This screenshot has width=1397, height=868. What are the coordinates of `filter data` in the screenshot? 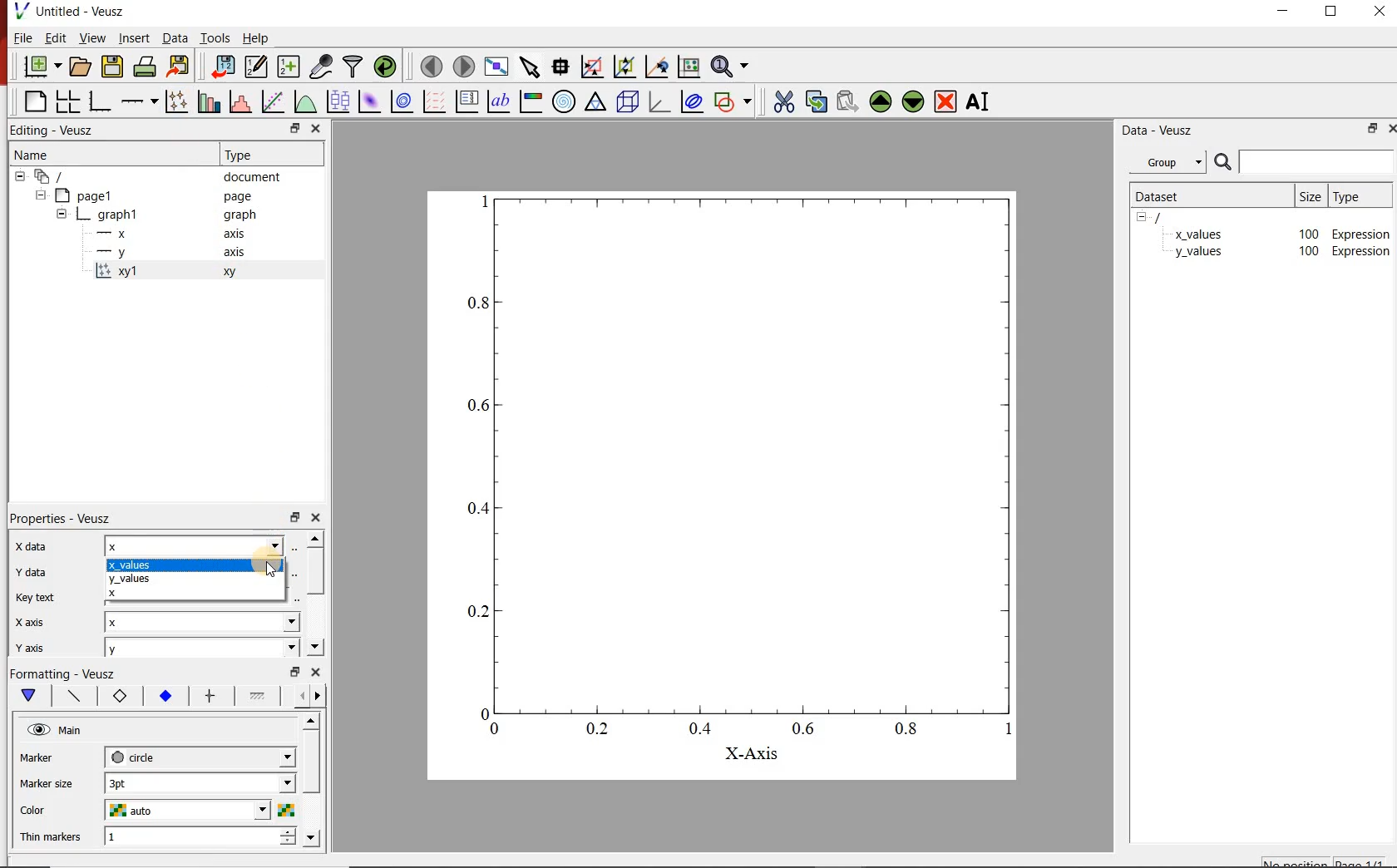 It's located at (353, 67).